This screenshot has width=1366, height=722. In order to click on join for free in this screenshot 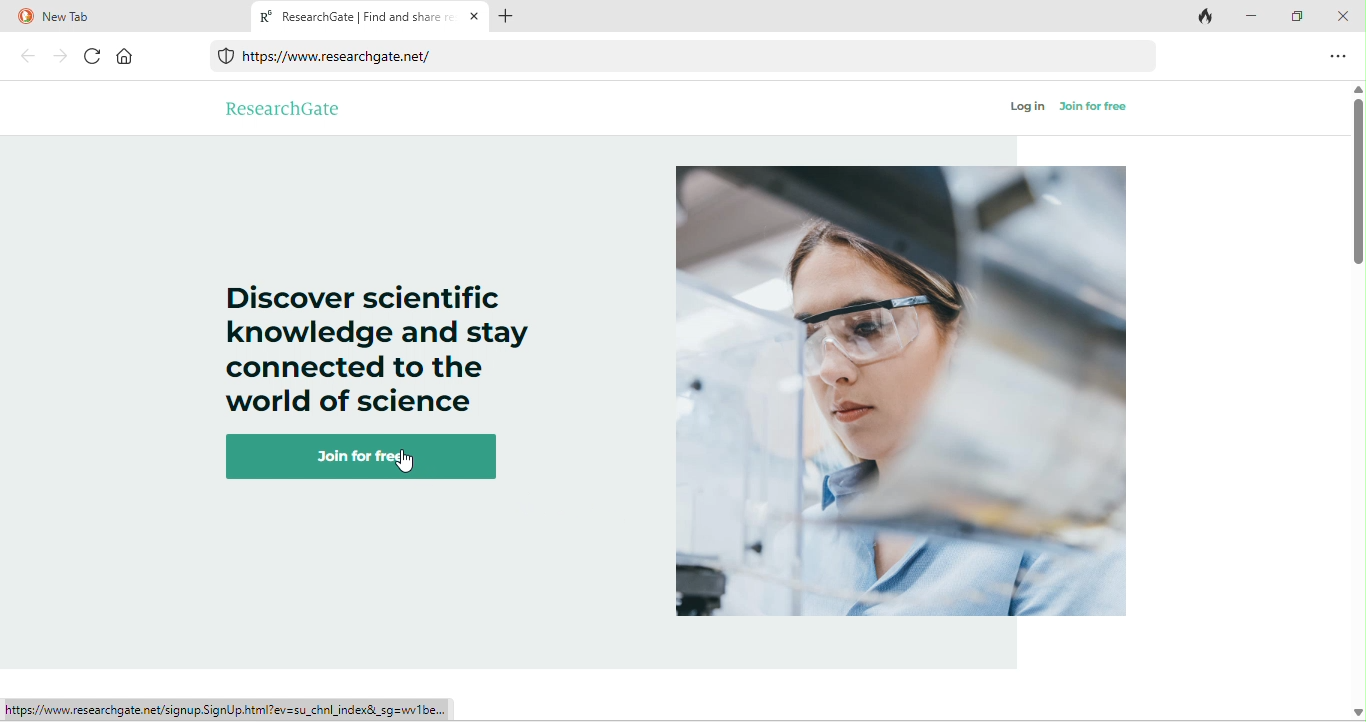, I will do `click(1093, 106)`.